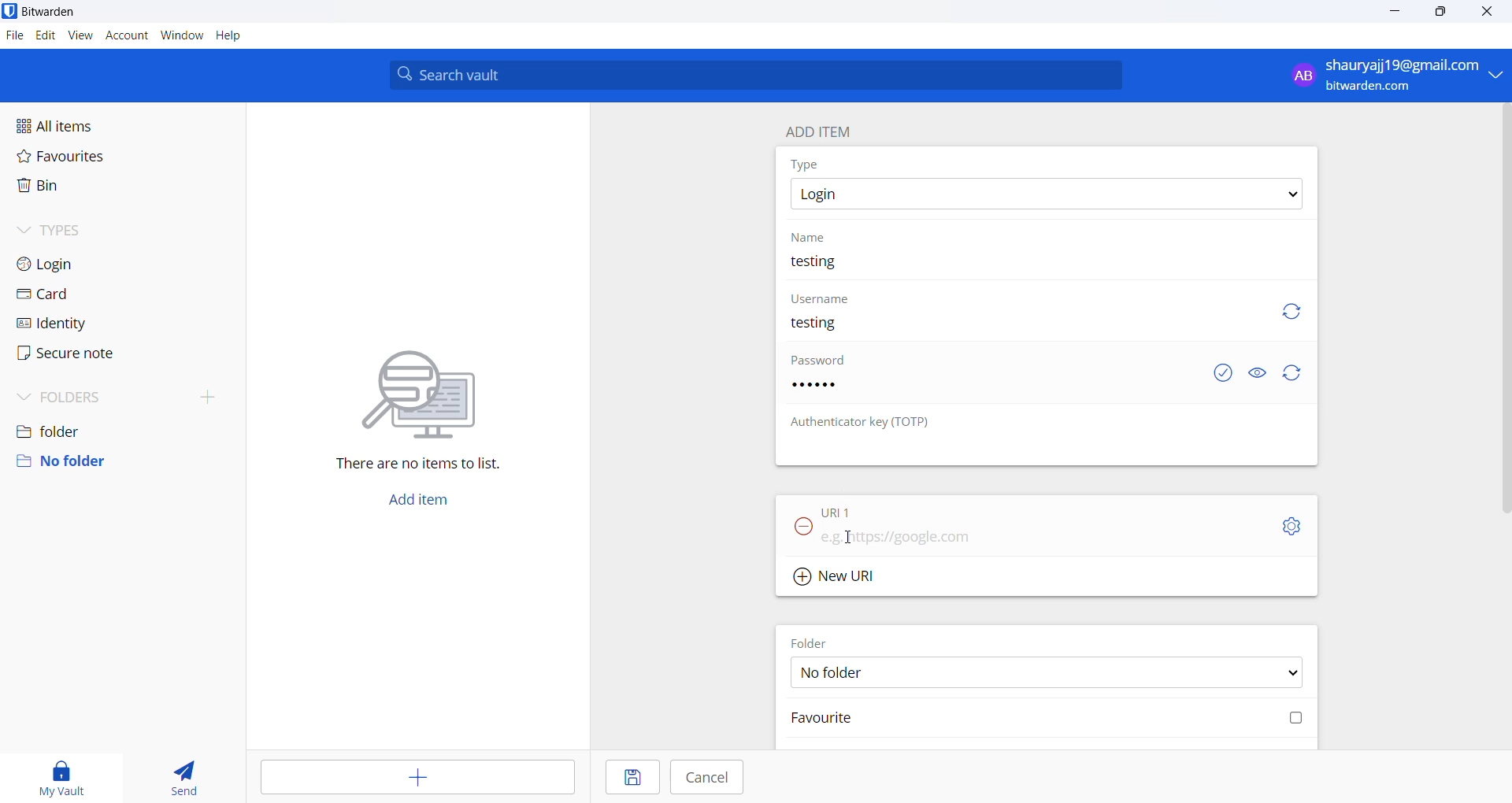  What do you see at coordinates (1292, 373) in the screenshot?
I see `refresh` at bounding box center [1292, 373].